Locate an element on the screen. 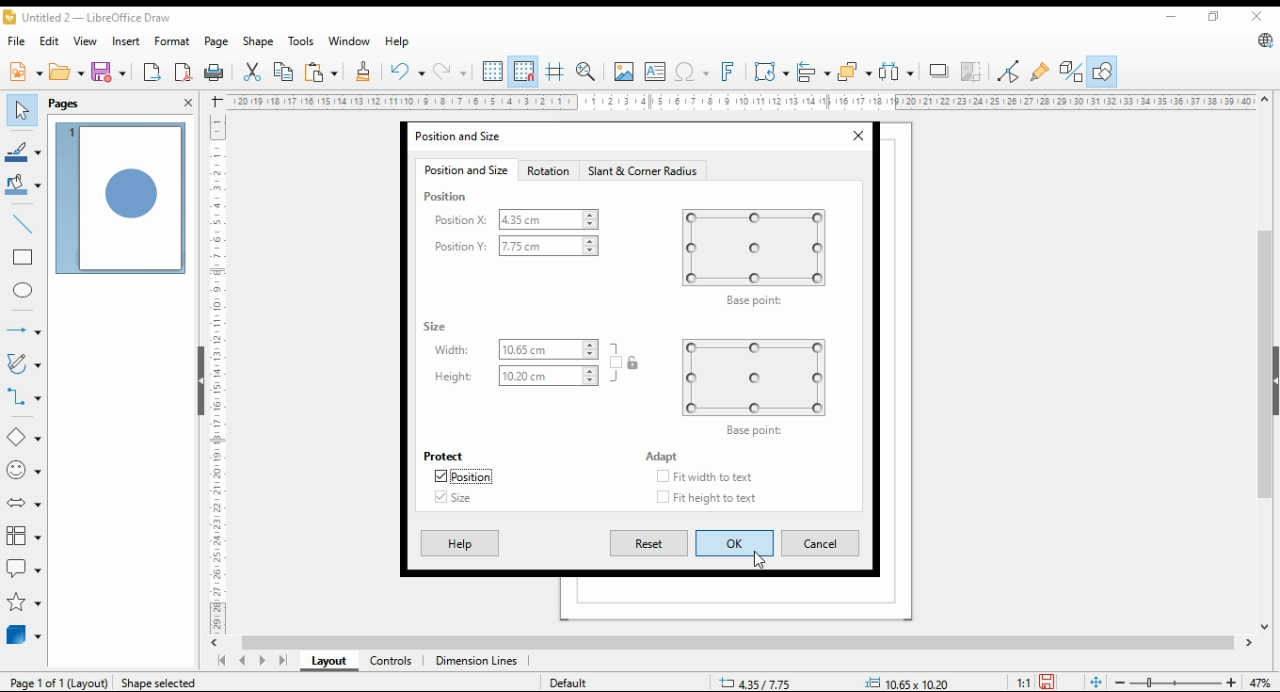 This screenshot has height=692, width=1280. crop is located at coordinates (972, 72).